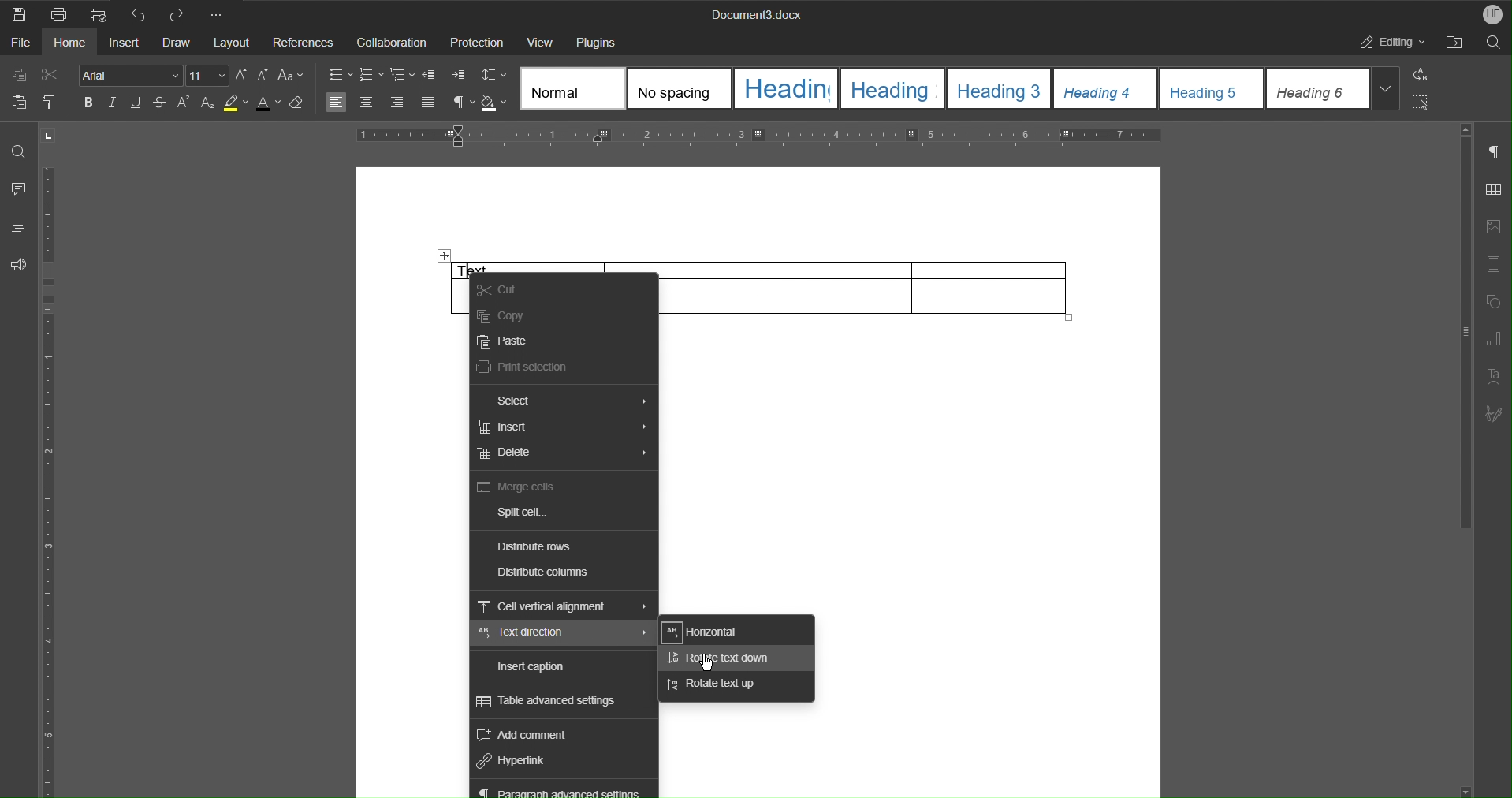 Image resolution: width=1512 pixels, height=798 pixels. Describe the element at coordinates (291, 76) in the screenshot. I see `Text Case Settings` at that location.